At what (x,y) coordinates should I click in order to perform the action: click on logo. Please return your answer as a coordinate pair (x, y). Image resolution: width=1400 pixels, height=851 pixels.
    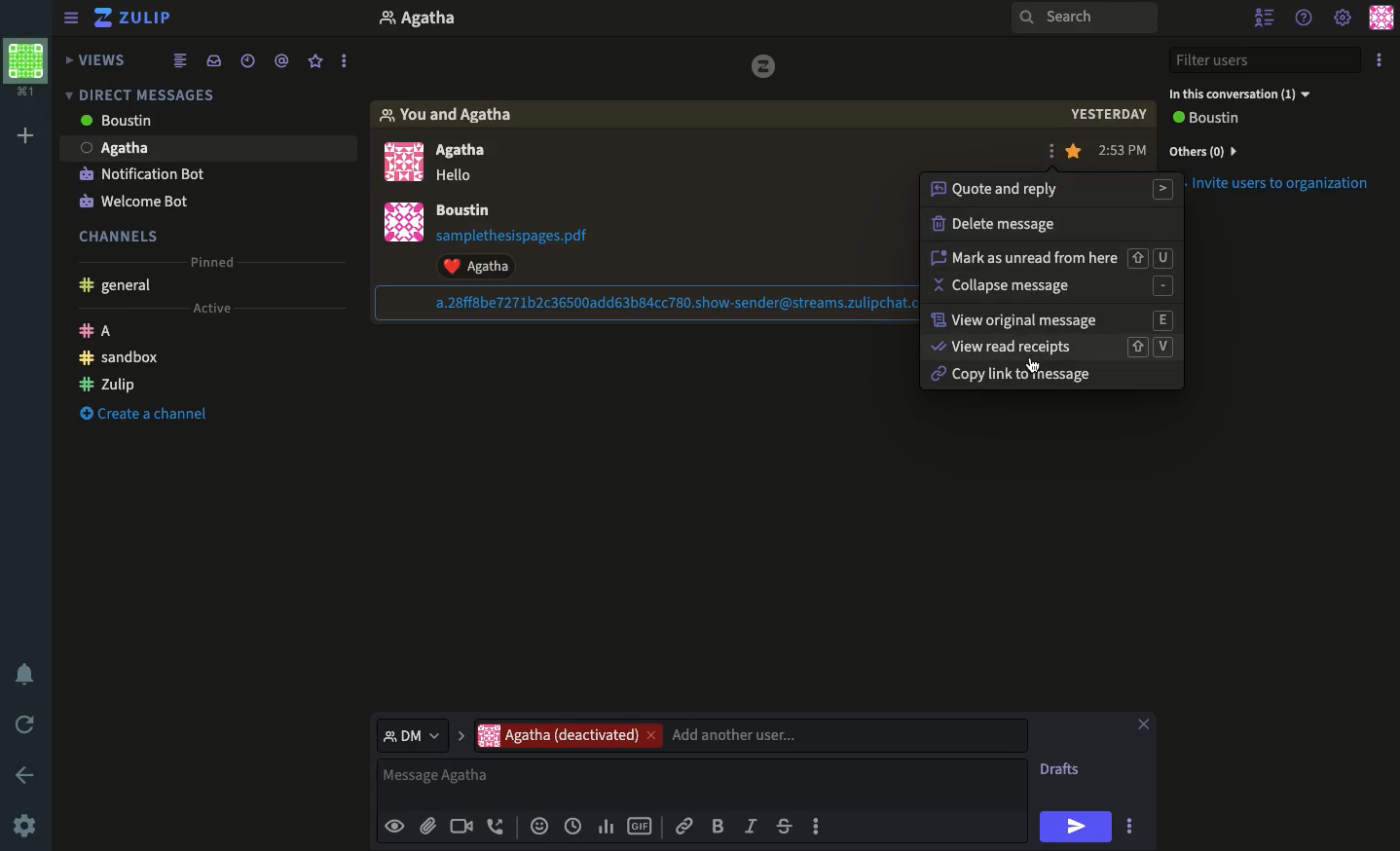
    Looking at the image, I should click on (765, 66).